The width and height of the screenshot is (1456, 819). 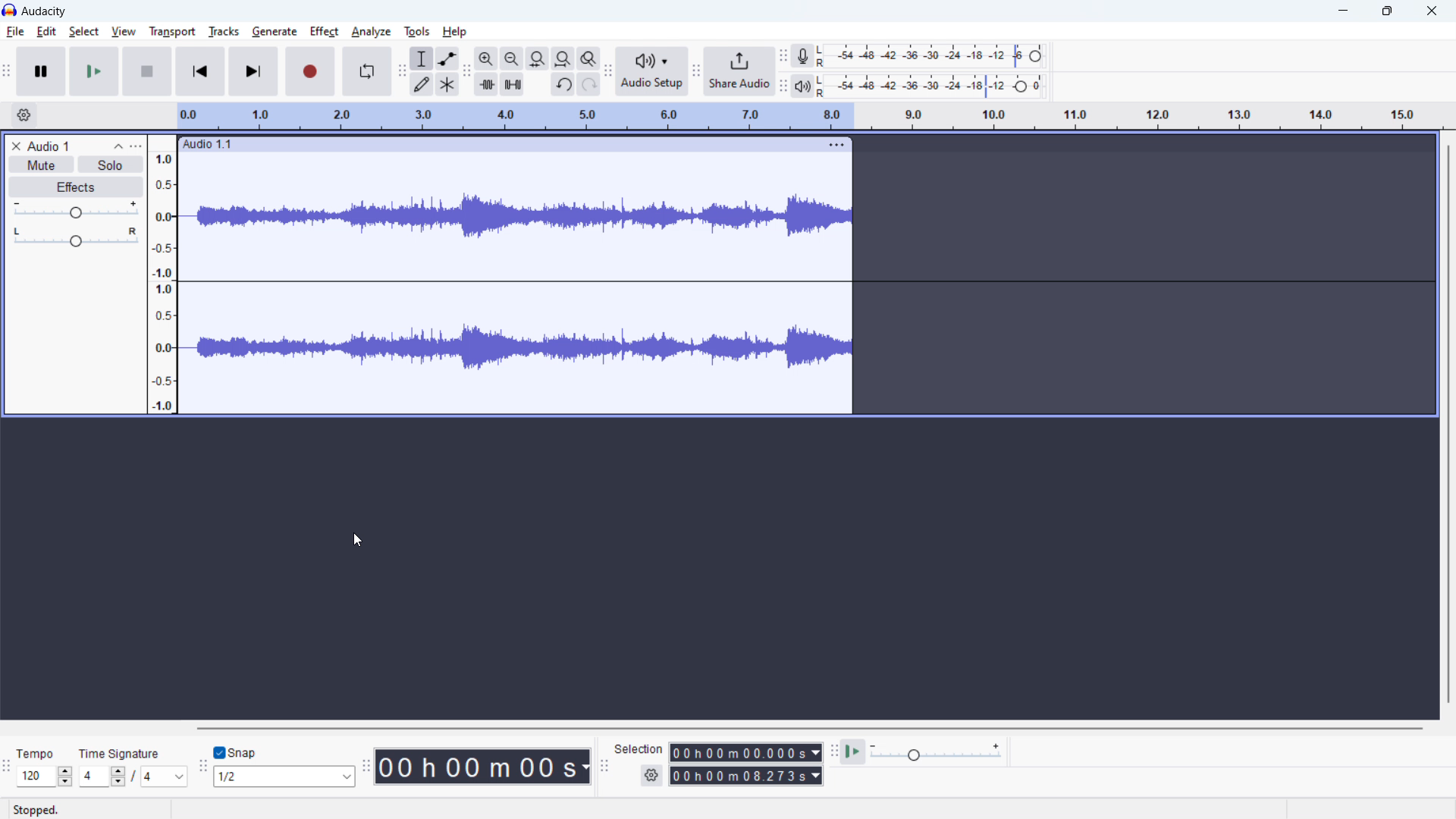 I want to click on timestamp, so click(x=483, y=767).